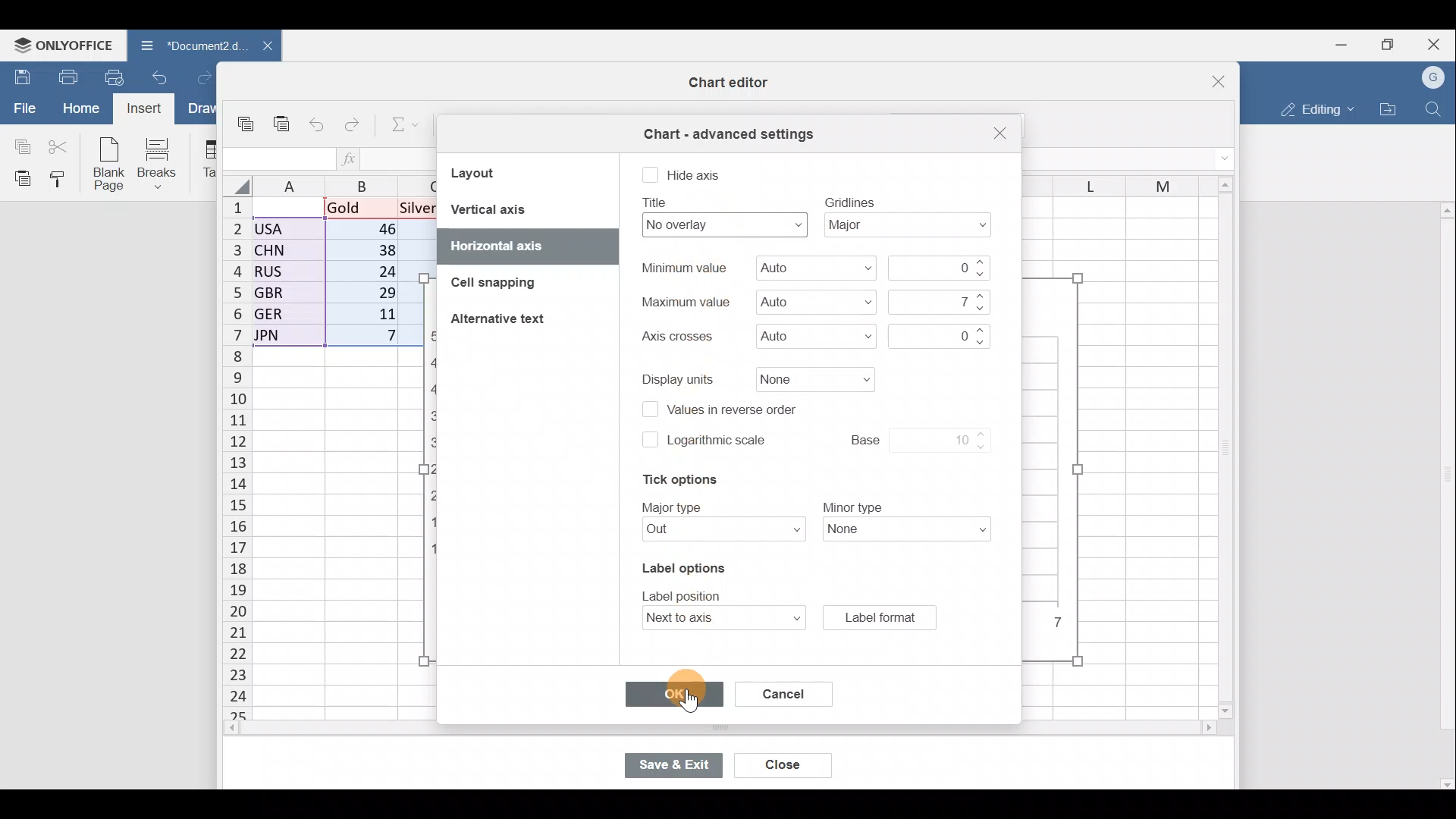 This screenshot has width=1456, height=819. Describe the element at coordinates (485, 284) in the screenshot. I see `Cell snapping` at that location.